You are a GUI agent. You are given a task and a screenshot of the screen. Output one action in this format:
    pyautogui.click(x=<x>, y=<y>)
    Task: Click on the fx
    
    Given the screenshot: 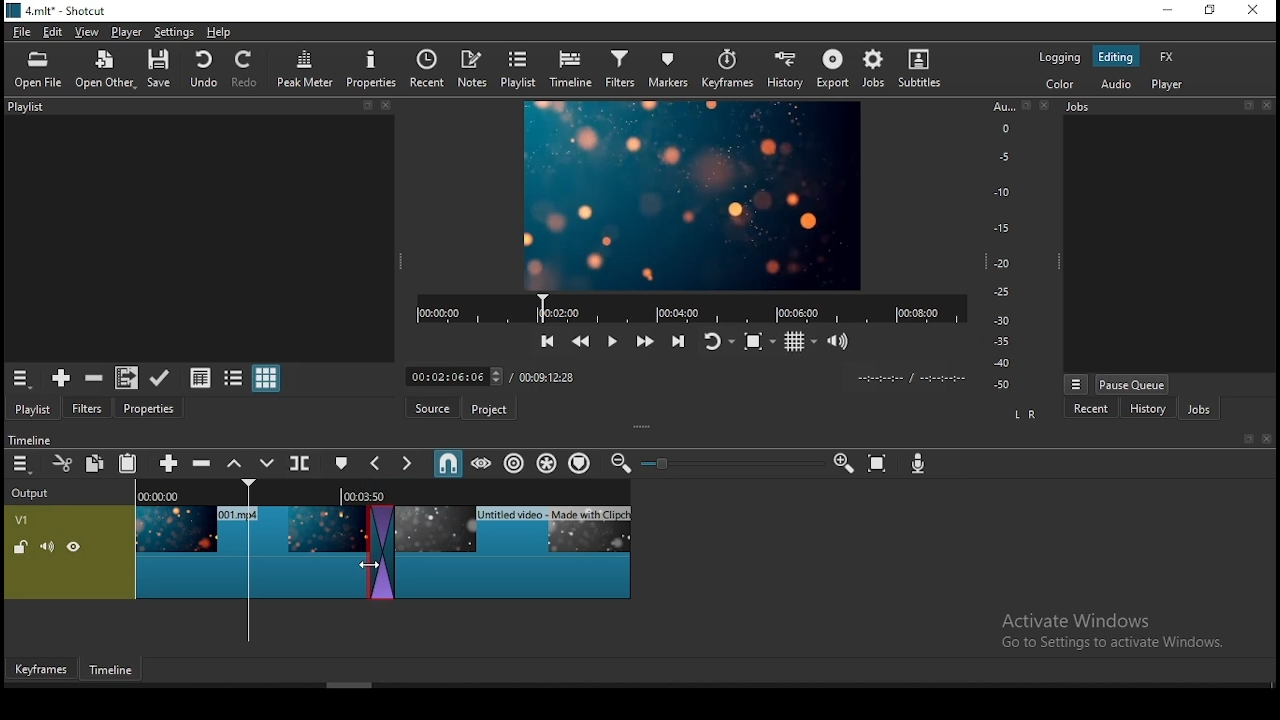 What is the action you would take?
    pyautogui.click(x=1167, y=57)
    